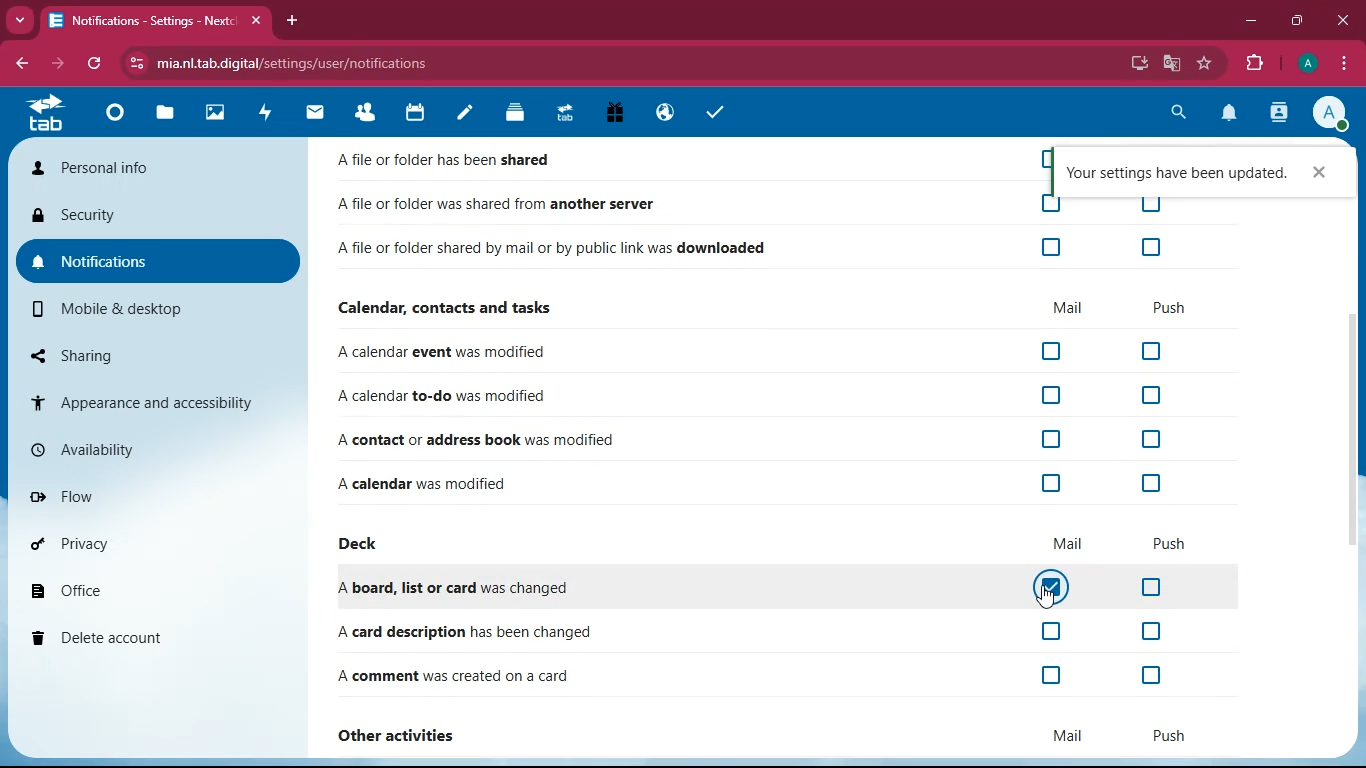 This screenshot has height=768, width=1366. Describe the element at coordinates (456, 482) in the screenshot. I see `A calendar was modified` at that location.